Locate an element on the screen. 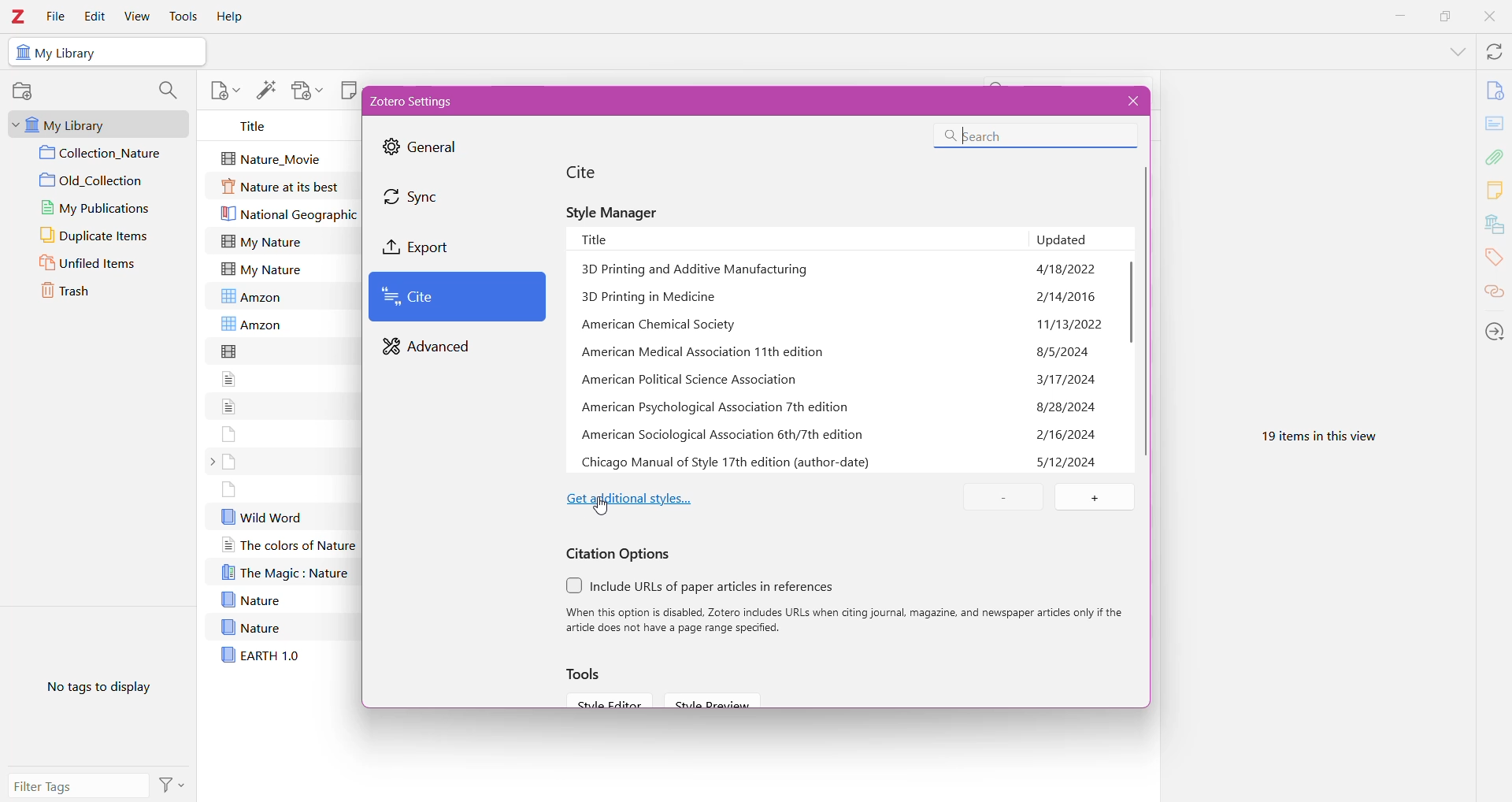 The image size is (1512, 802). View is located at coordinates (137, 16).